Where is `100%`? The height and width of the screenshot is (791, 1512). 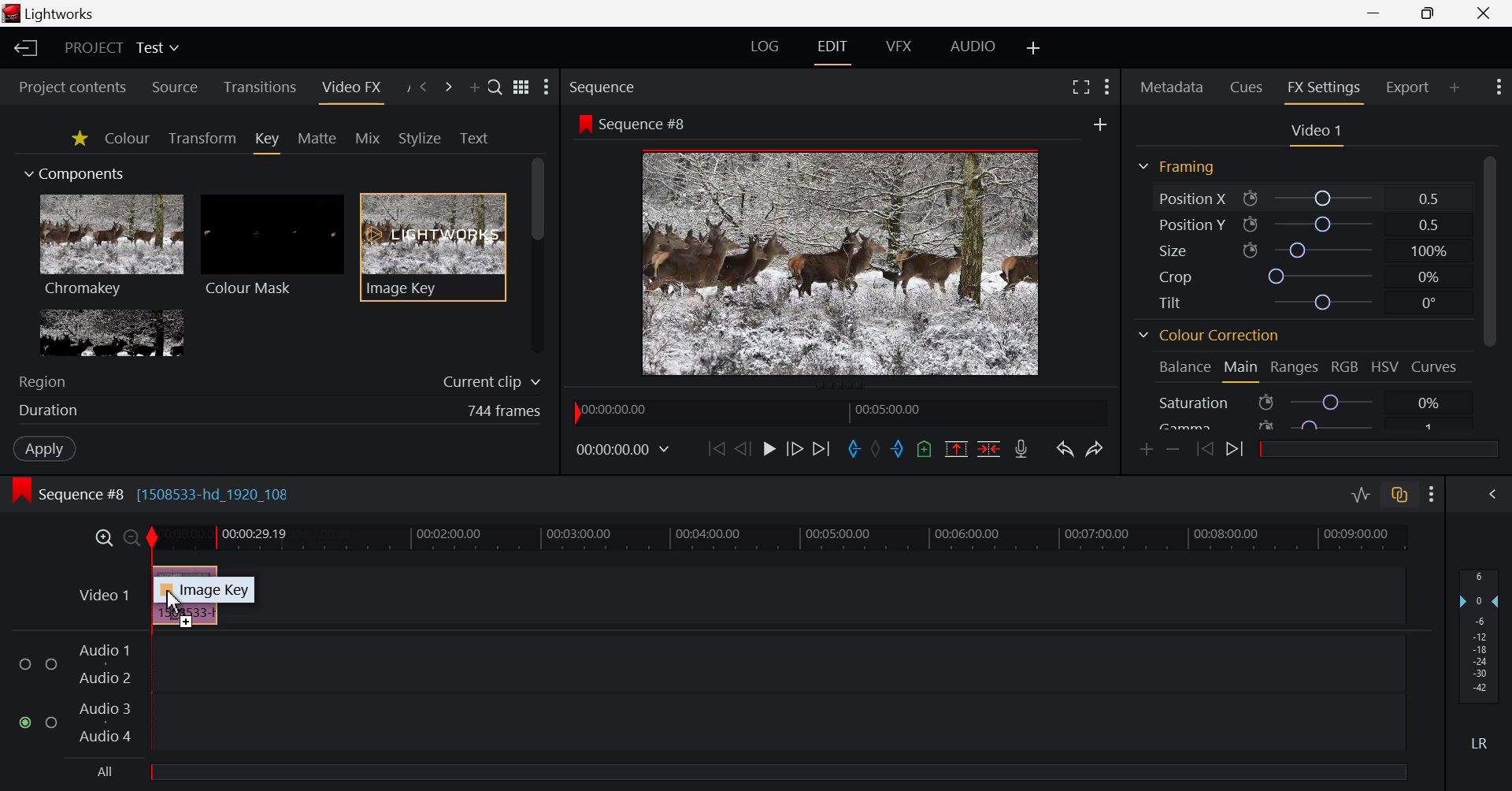
100% is located at coordinates (1430, 252).